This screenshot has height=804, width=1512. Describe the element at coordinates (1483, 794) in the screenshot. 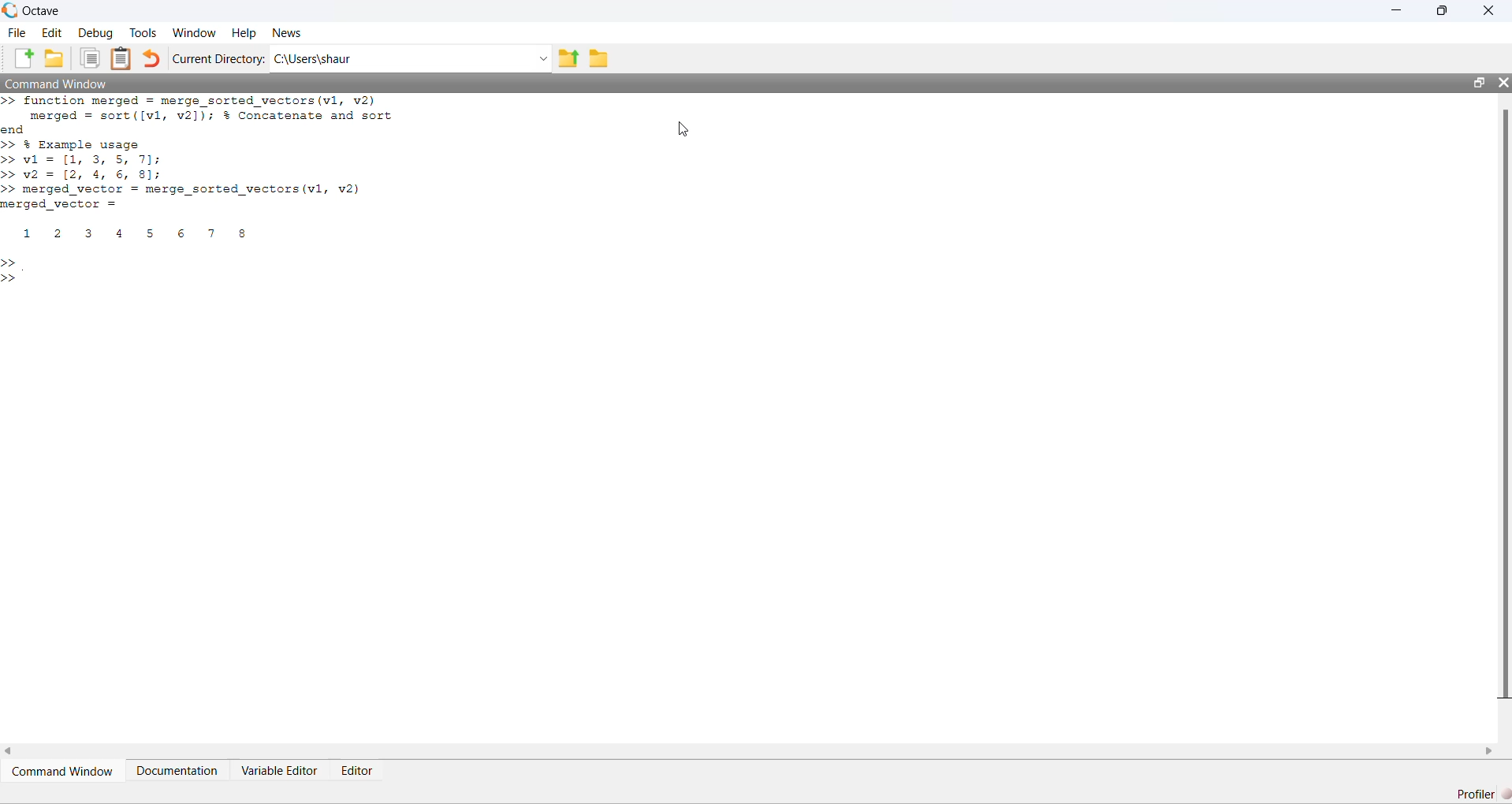

I see `Profiler` at that location.